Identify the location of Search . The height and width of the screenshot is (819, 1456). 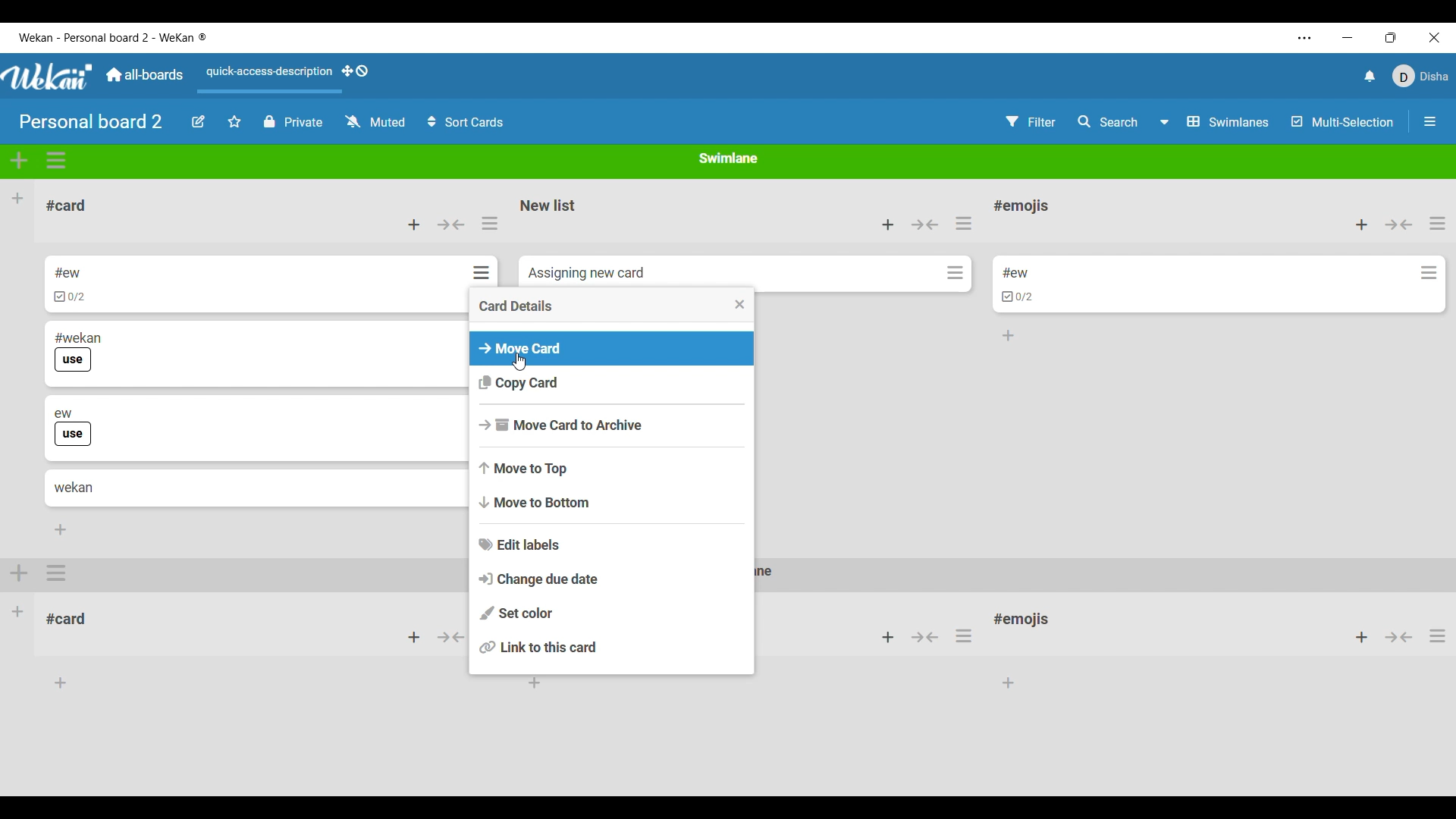
(1109, 121).